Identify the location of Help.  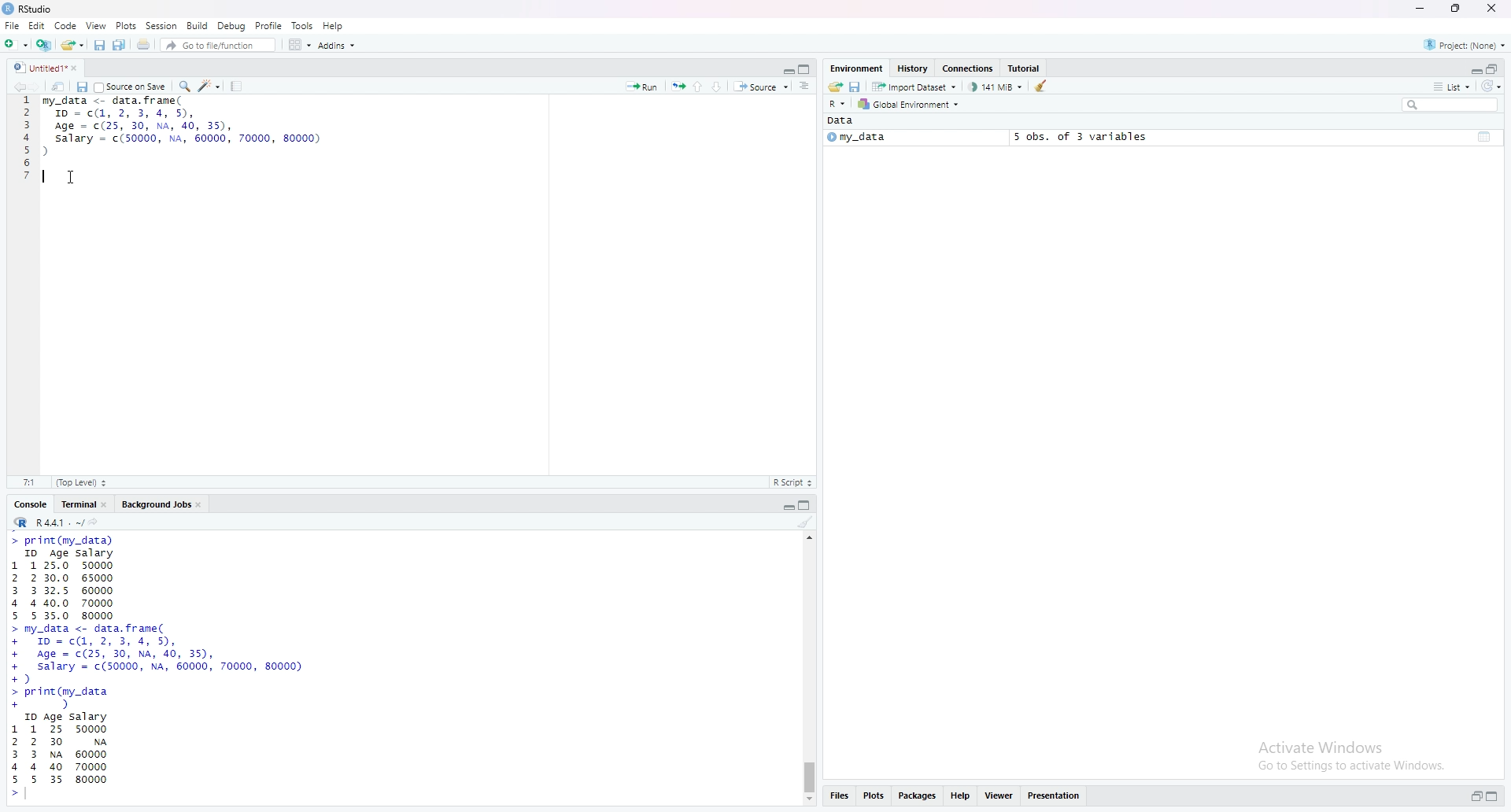
(334, 25).